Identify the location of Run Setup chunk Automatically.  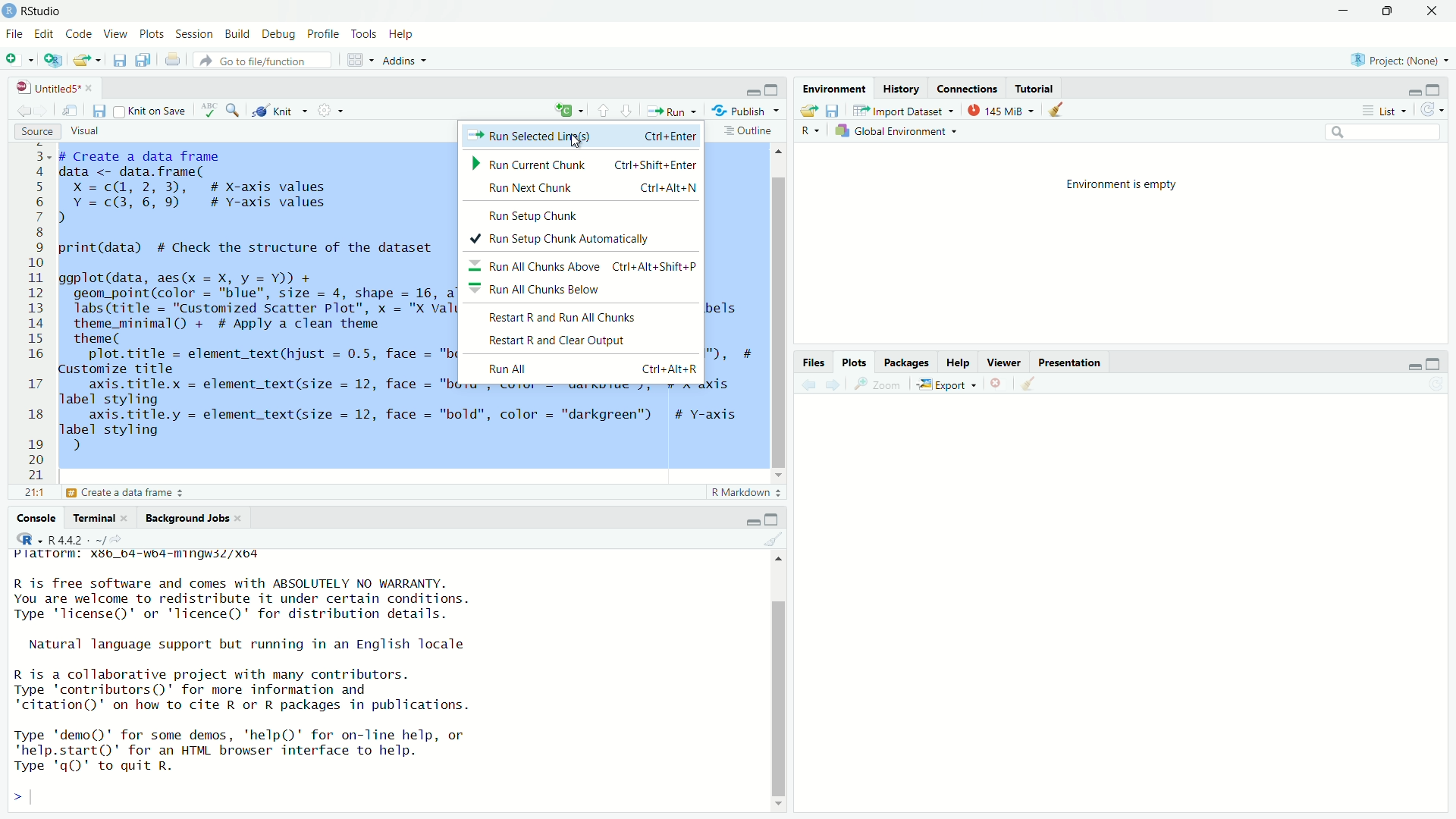
(561, 237).